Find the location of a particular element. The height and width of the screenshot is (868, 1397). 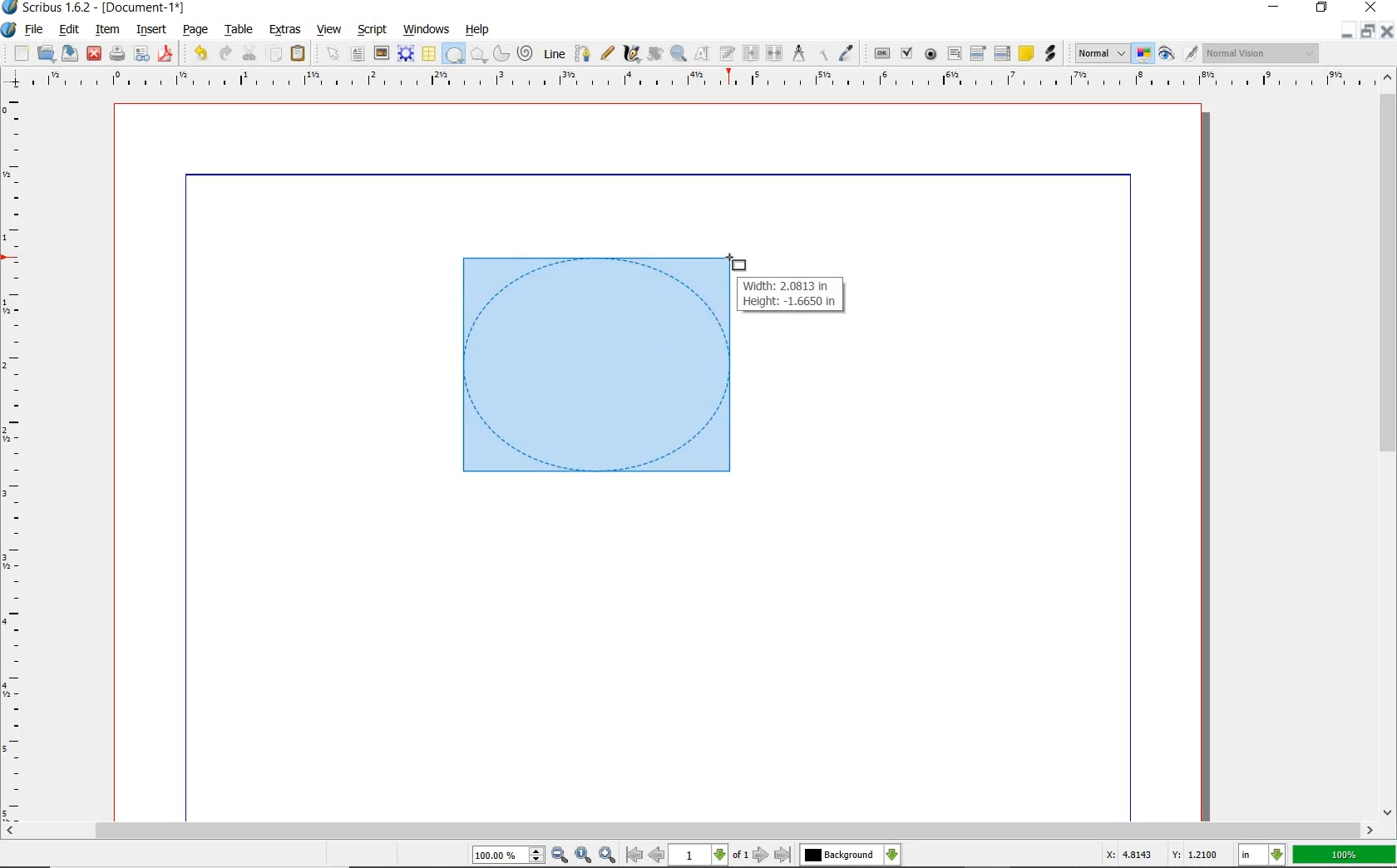

REDO is located at coordinates (225, 52).